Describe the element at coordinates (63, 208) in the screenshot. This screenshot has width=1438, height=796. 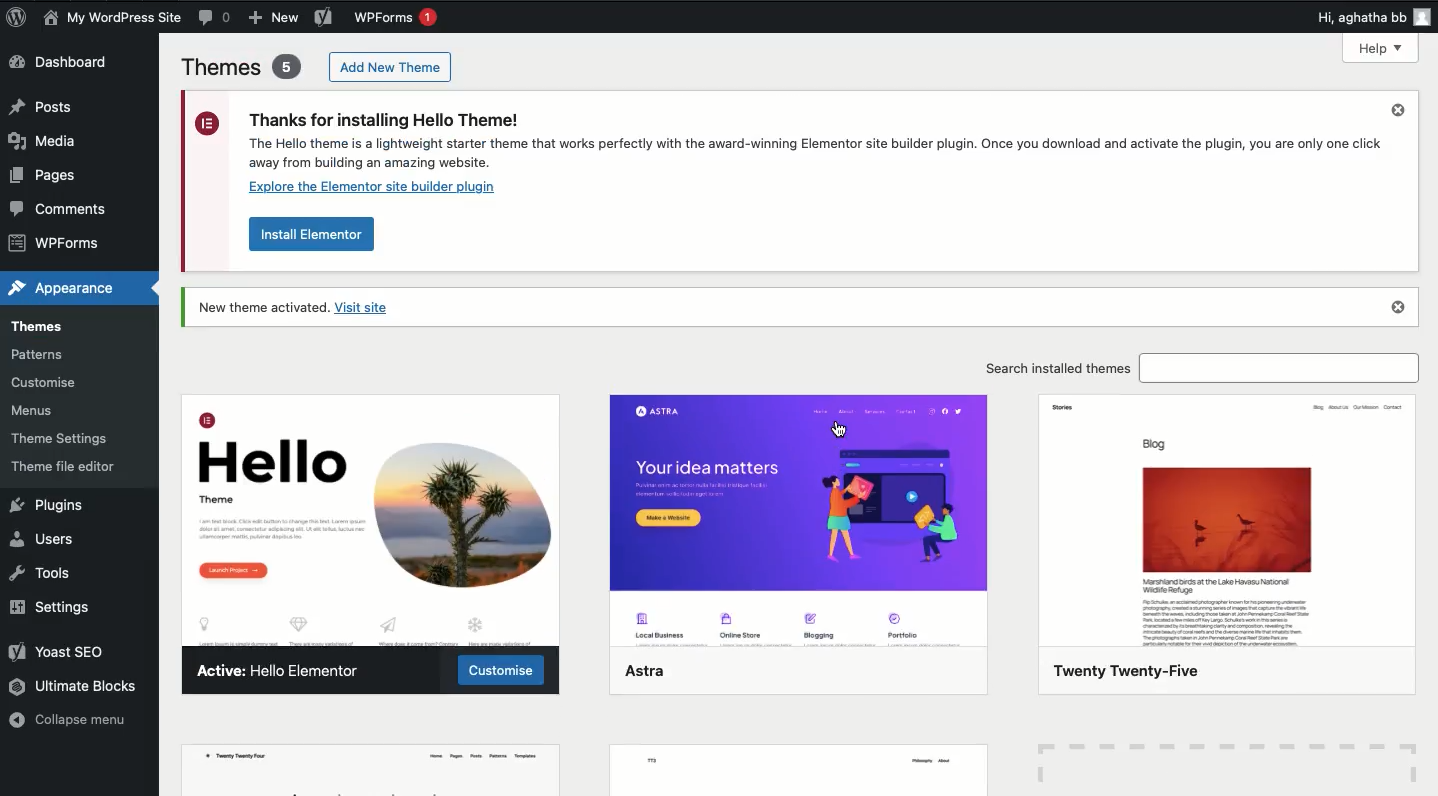
I see `Comments` at that location.